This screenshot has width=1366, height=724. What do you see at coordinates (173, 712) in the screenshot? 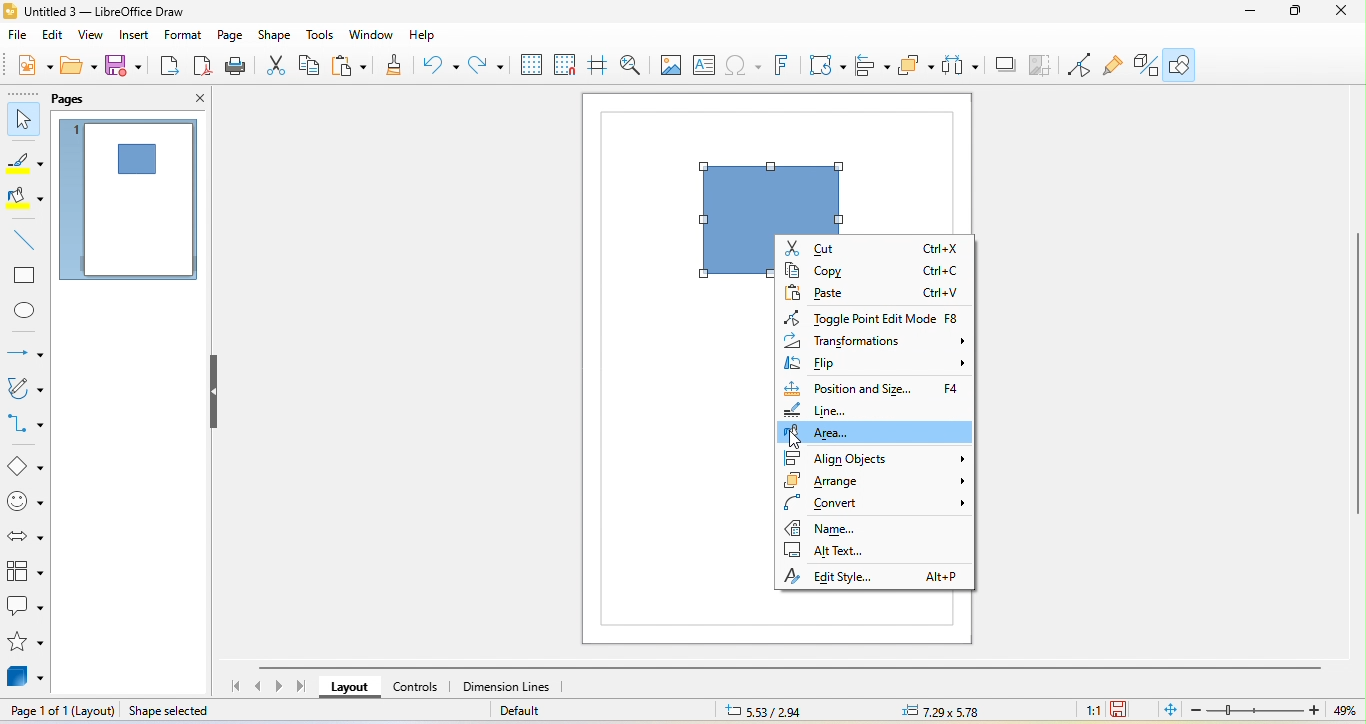
I see `shape selected` at bounding box center [173, 712].